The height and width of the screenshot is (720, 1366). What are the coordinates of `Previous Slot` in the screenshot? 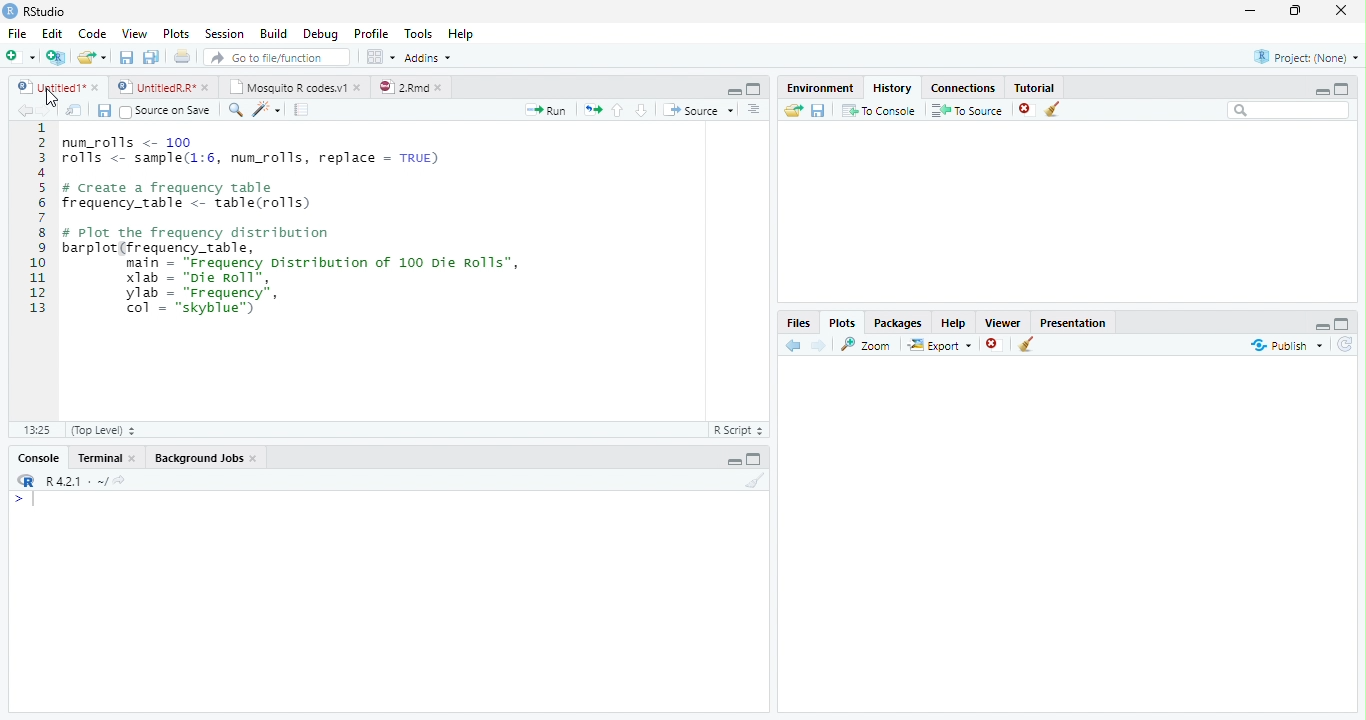 It's located at (794, 346).